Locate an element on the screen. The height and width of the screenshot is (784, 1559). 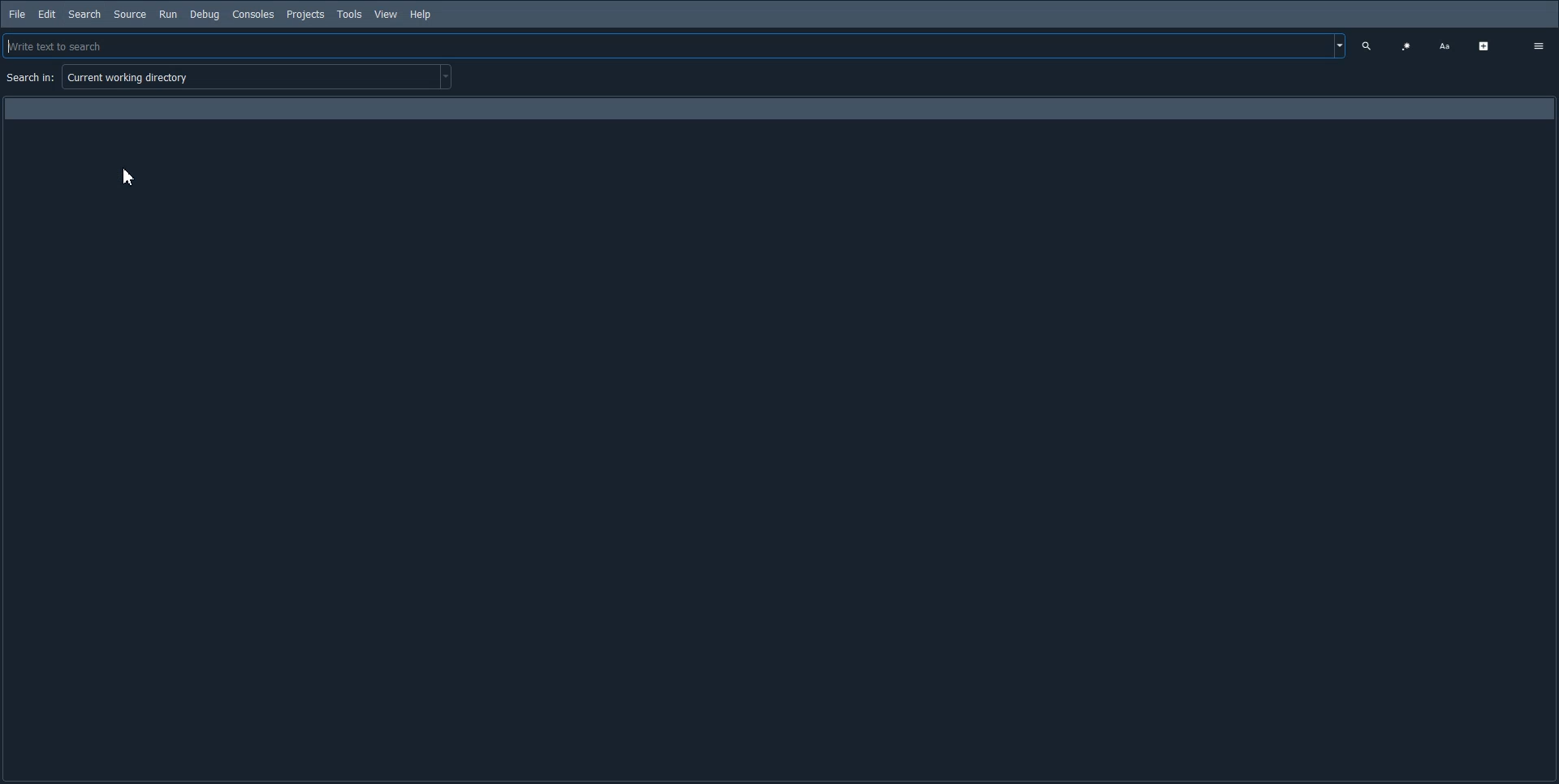
Show advance option is located at coordinates (1487, 45).